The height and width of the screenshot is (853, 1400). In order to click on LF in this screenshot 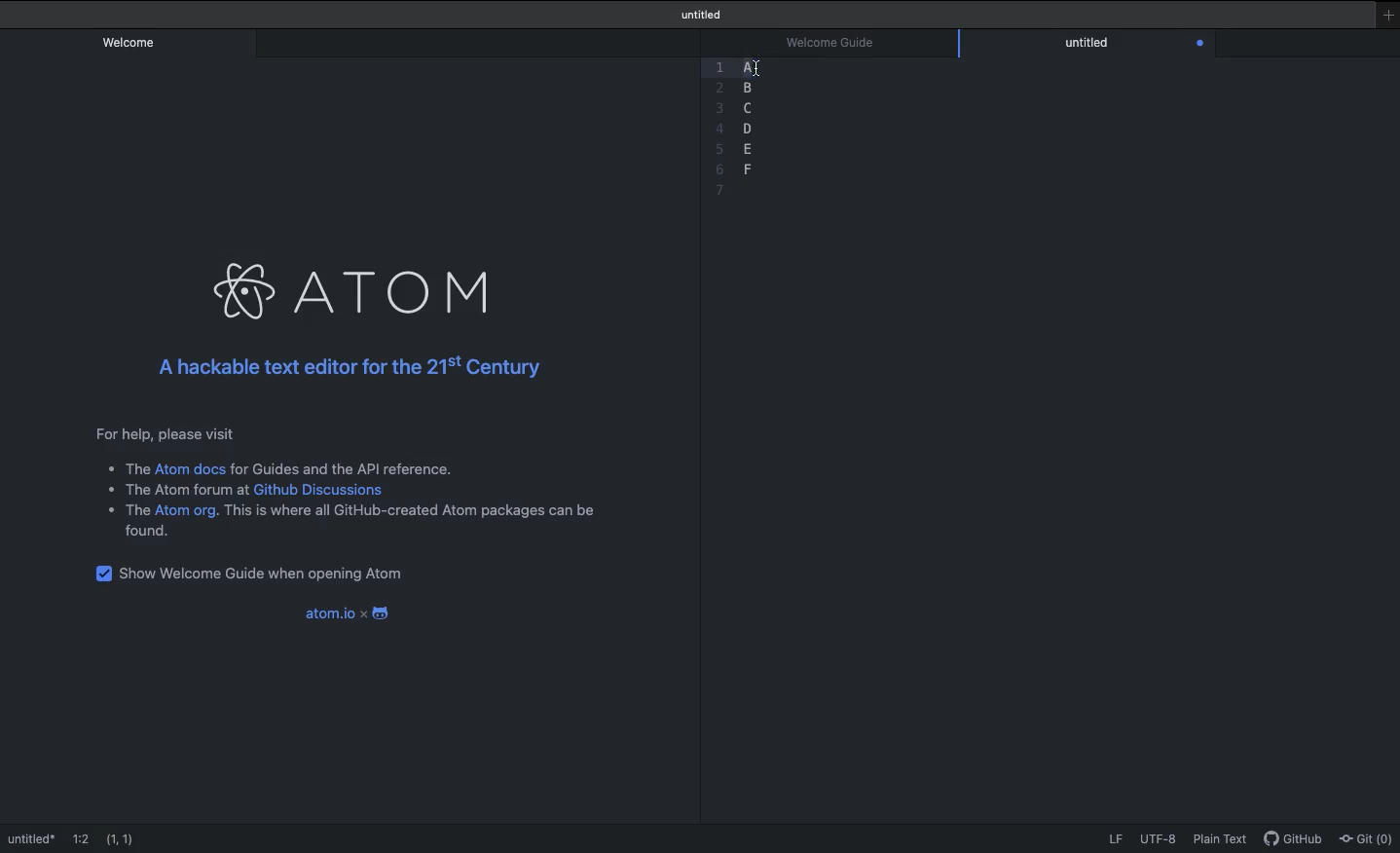, I will do `click(1119, 841)`.